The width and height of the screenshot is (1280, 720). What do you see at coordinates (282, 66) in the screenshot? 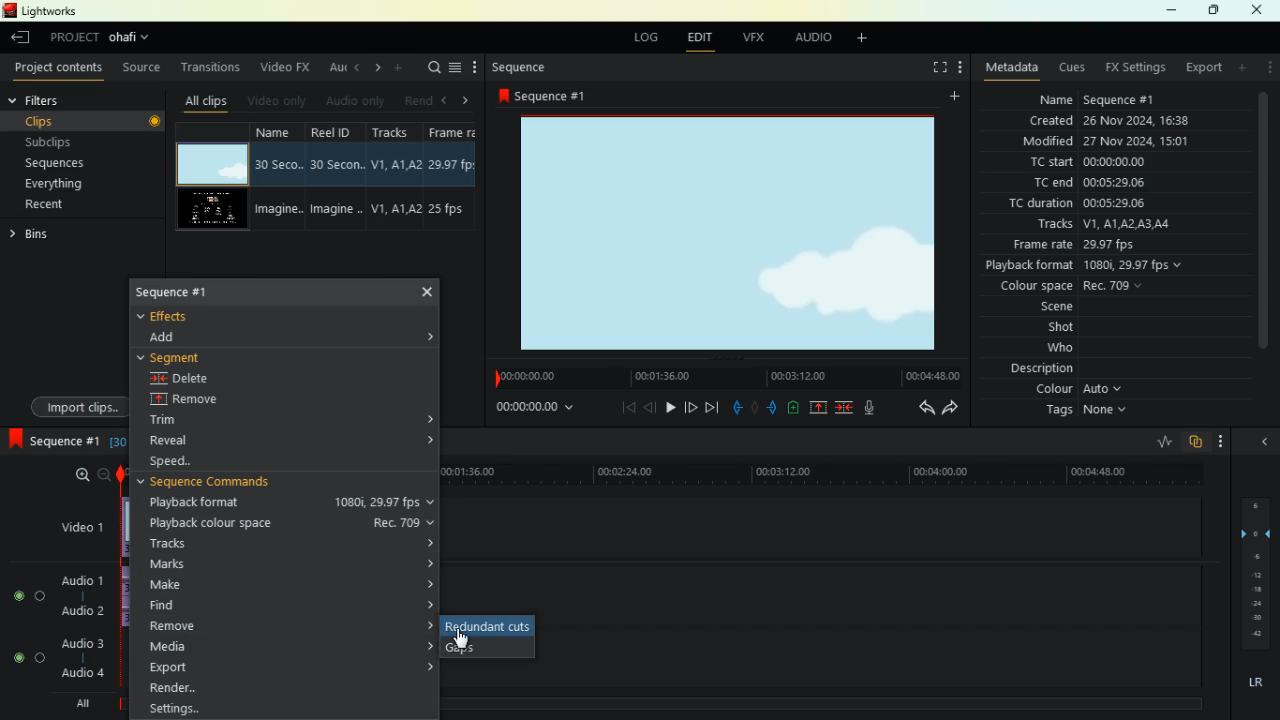
I see `video fx` at bounding box center [282, 66].